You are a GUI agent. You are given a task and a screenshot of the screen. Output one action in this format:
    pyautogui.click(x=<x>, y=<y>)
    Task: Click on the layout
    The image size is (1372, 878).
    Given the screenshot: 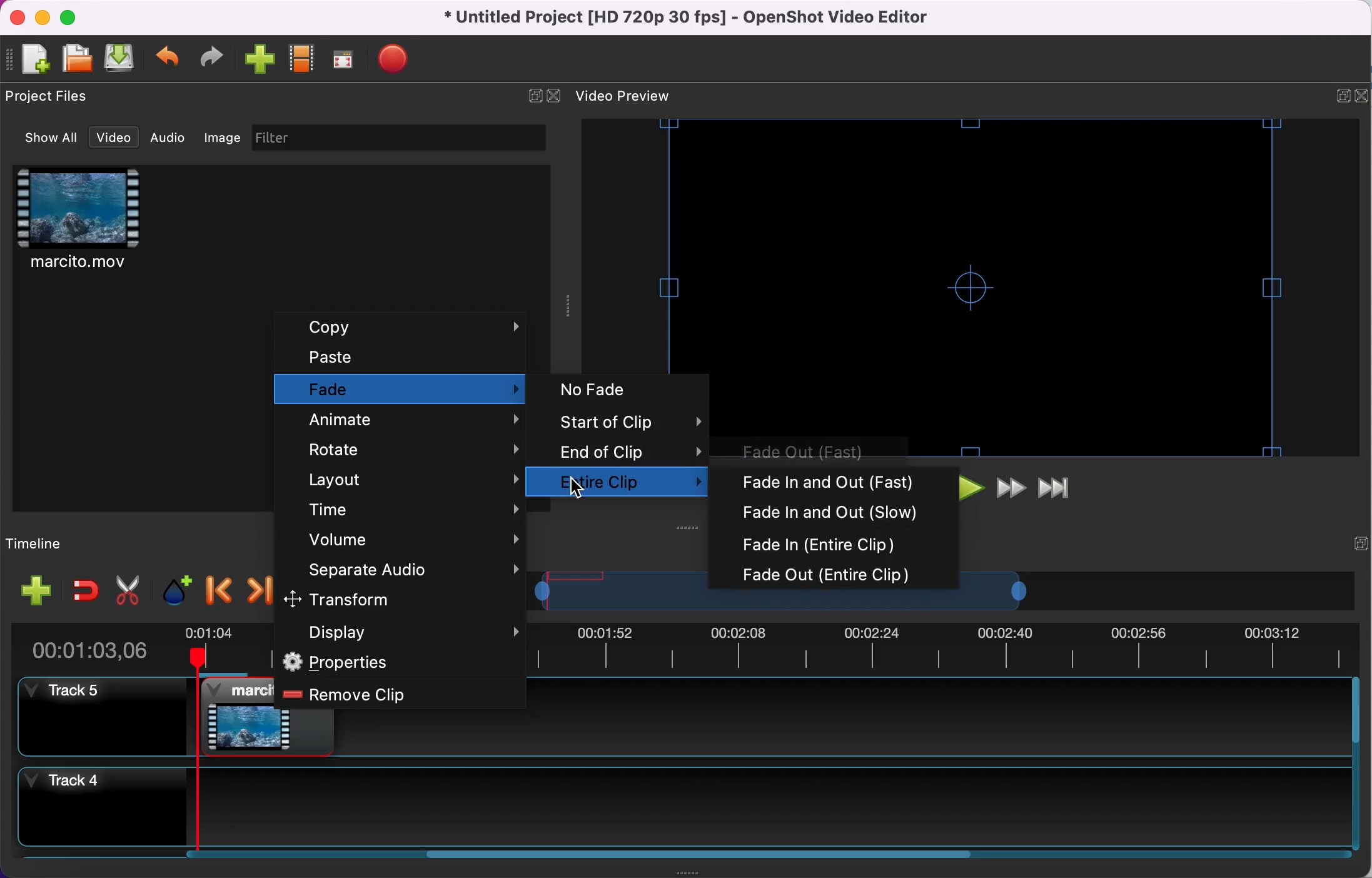 What is the action you would take?
    pyautogui.click(x=409, y=482)
    